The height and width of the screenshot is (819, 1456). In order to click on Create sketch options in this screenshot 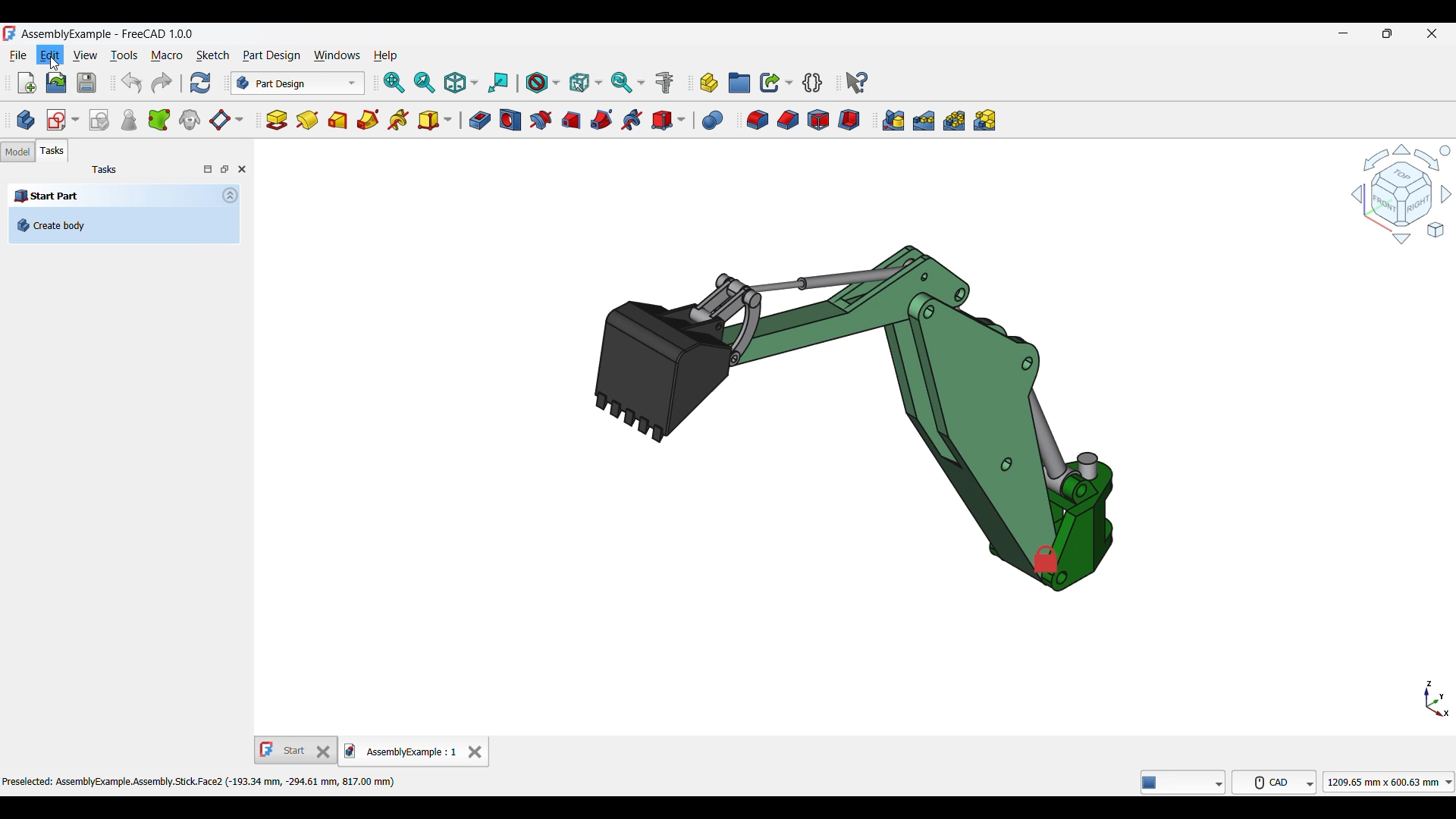, I will do `click(63, 121)`.